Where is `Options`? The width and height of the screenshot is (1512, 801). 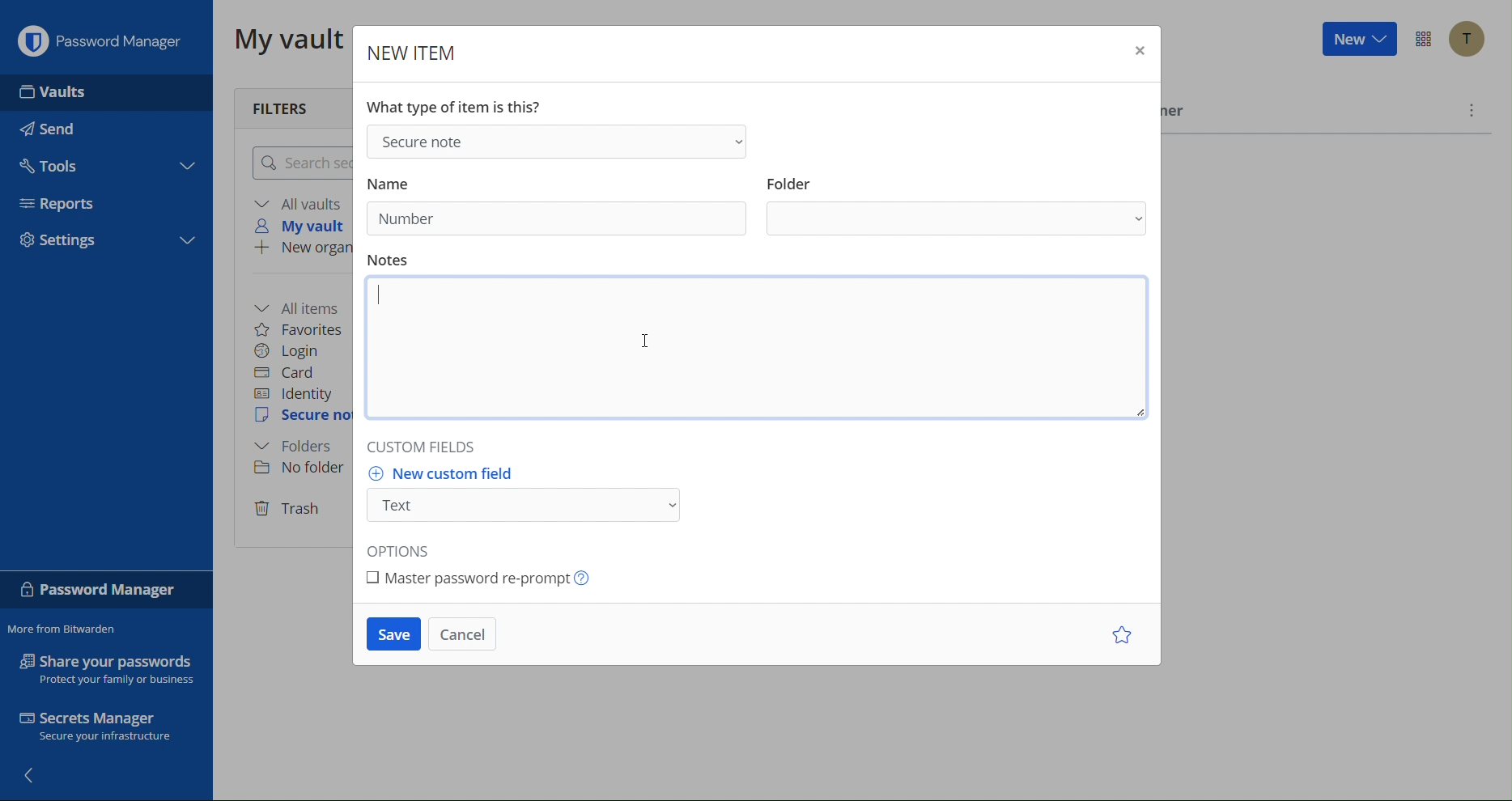
Options is located at coordinates (1421, 40).